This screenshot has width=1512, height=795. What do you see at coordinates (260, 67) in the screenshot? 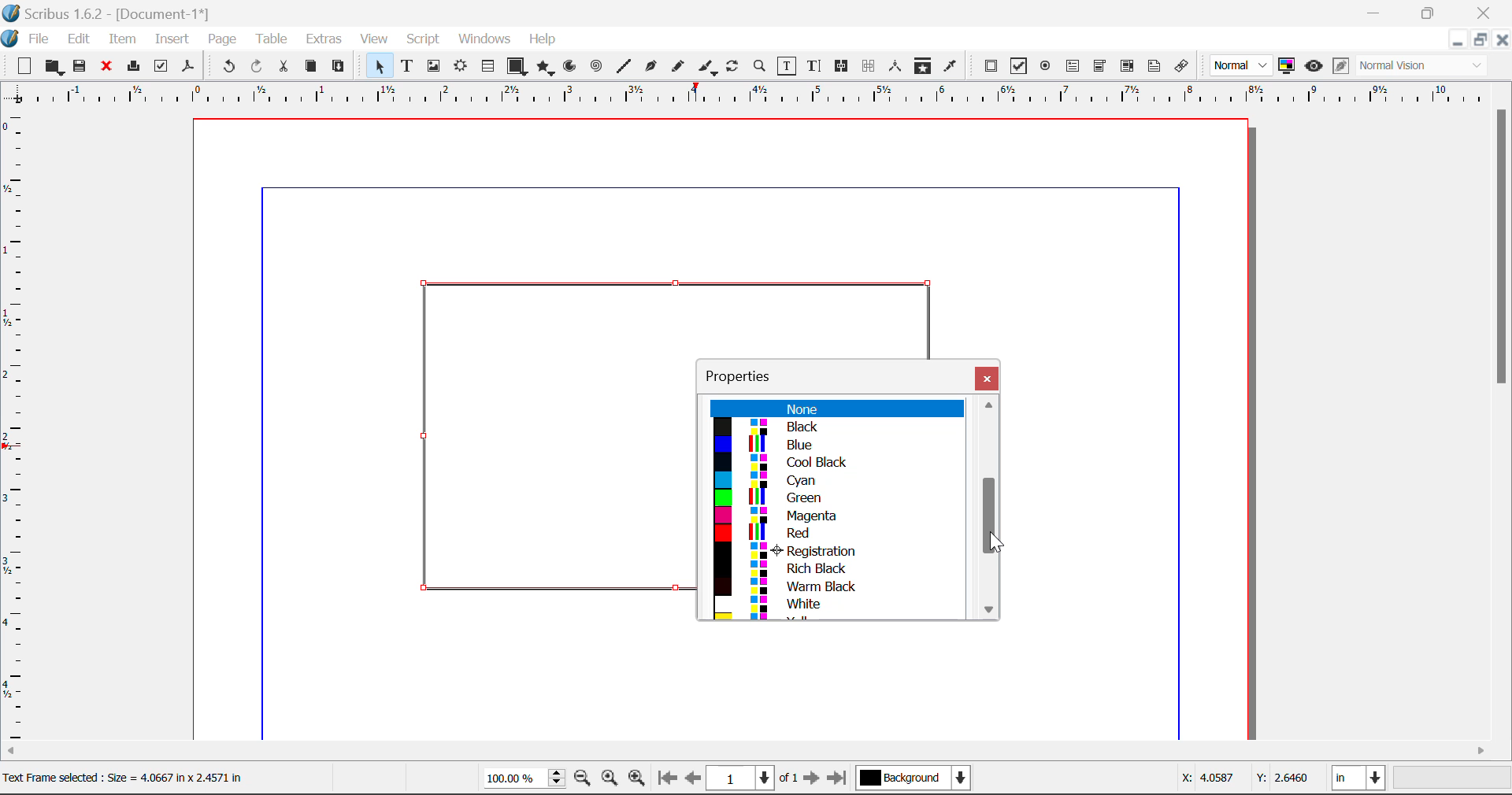
I see `Redo` at bounding box center [260, 67].